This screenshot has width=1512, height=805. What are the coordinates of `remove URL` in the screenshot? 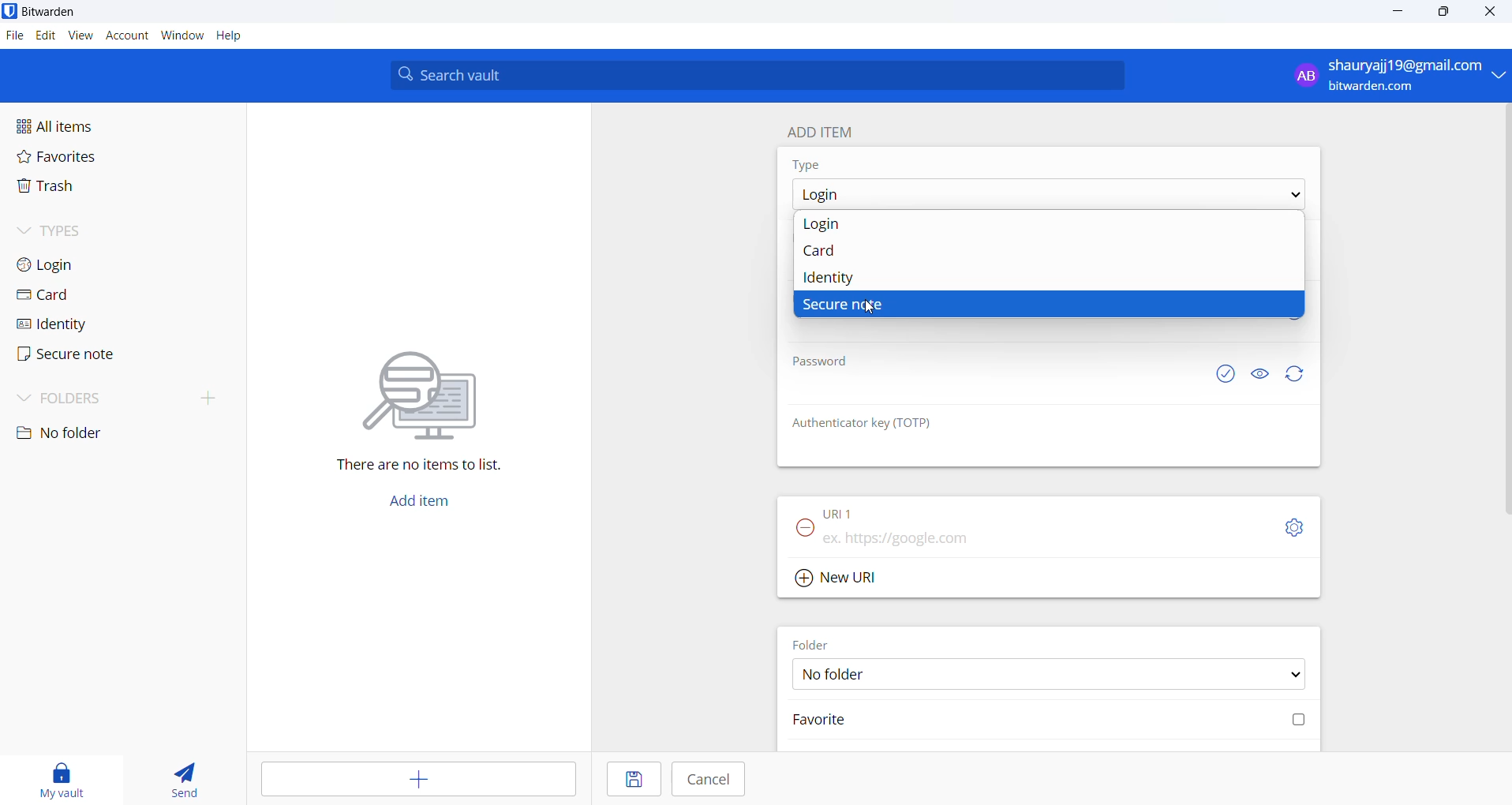 It's located at (802, 529).